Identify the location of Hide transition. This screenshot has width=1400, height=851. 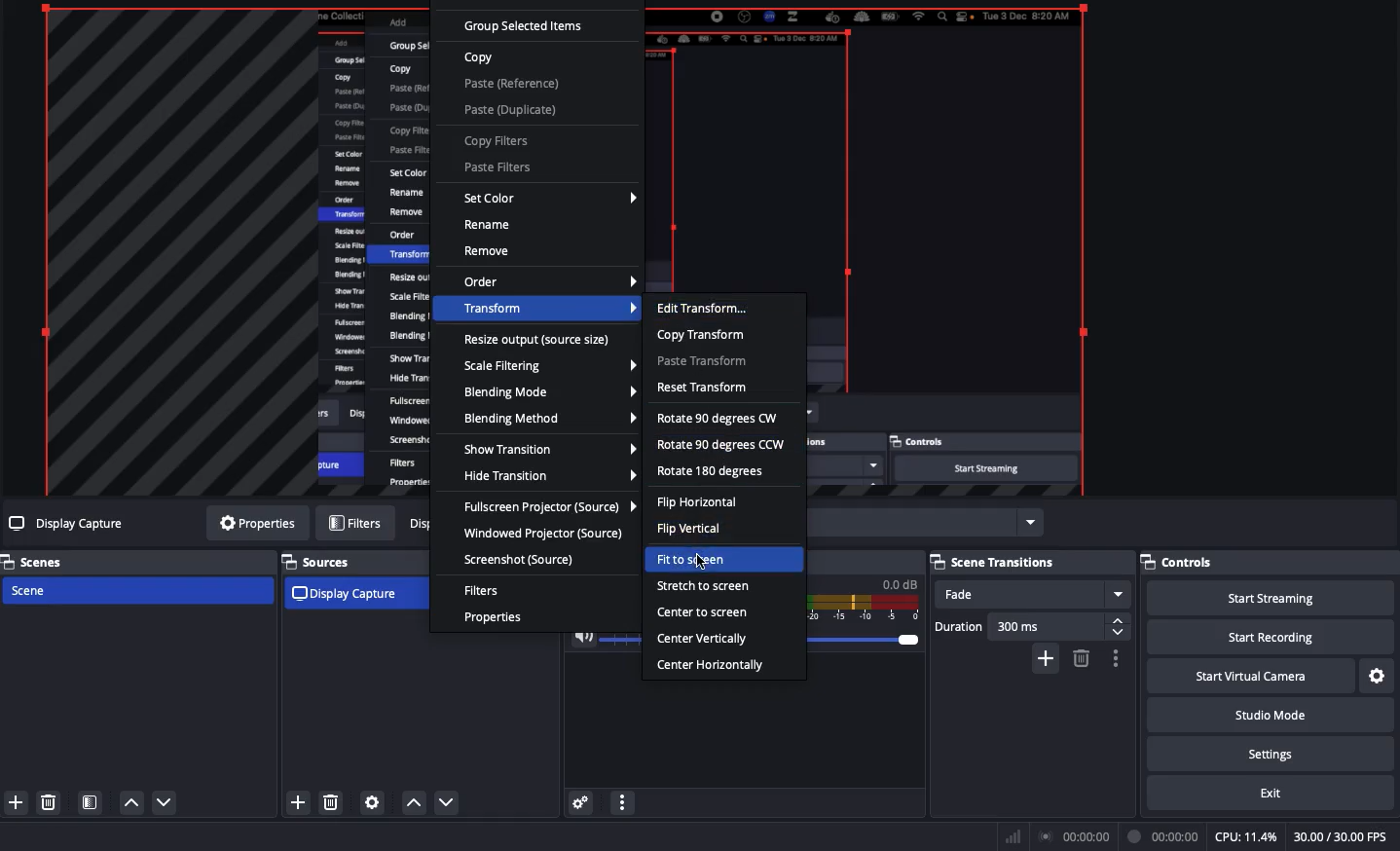
(550, 477).